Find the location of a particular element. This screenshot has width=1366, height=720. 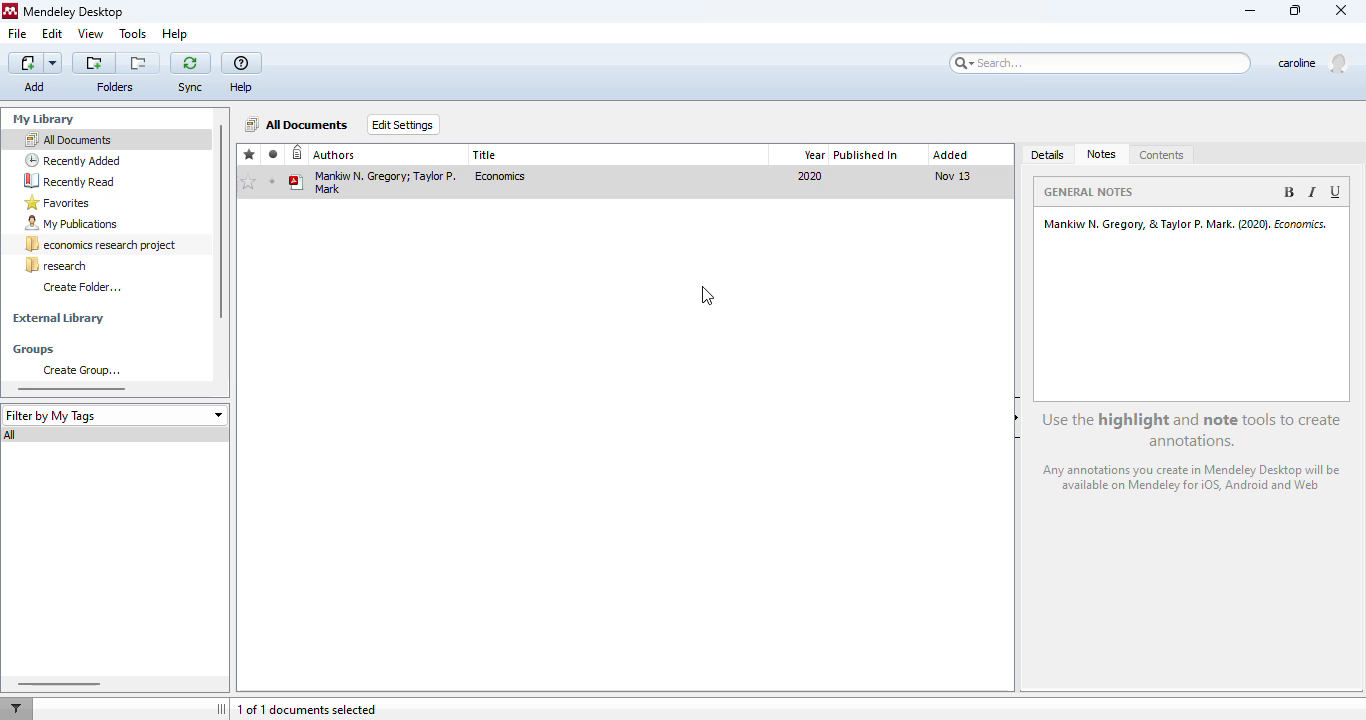

title is located at coordinates (486, 155).